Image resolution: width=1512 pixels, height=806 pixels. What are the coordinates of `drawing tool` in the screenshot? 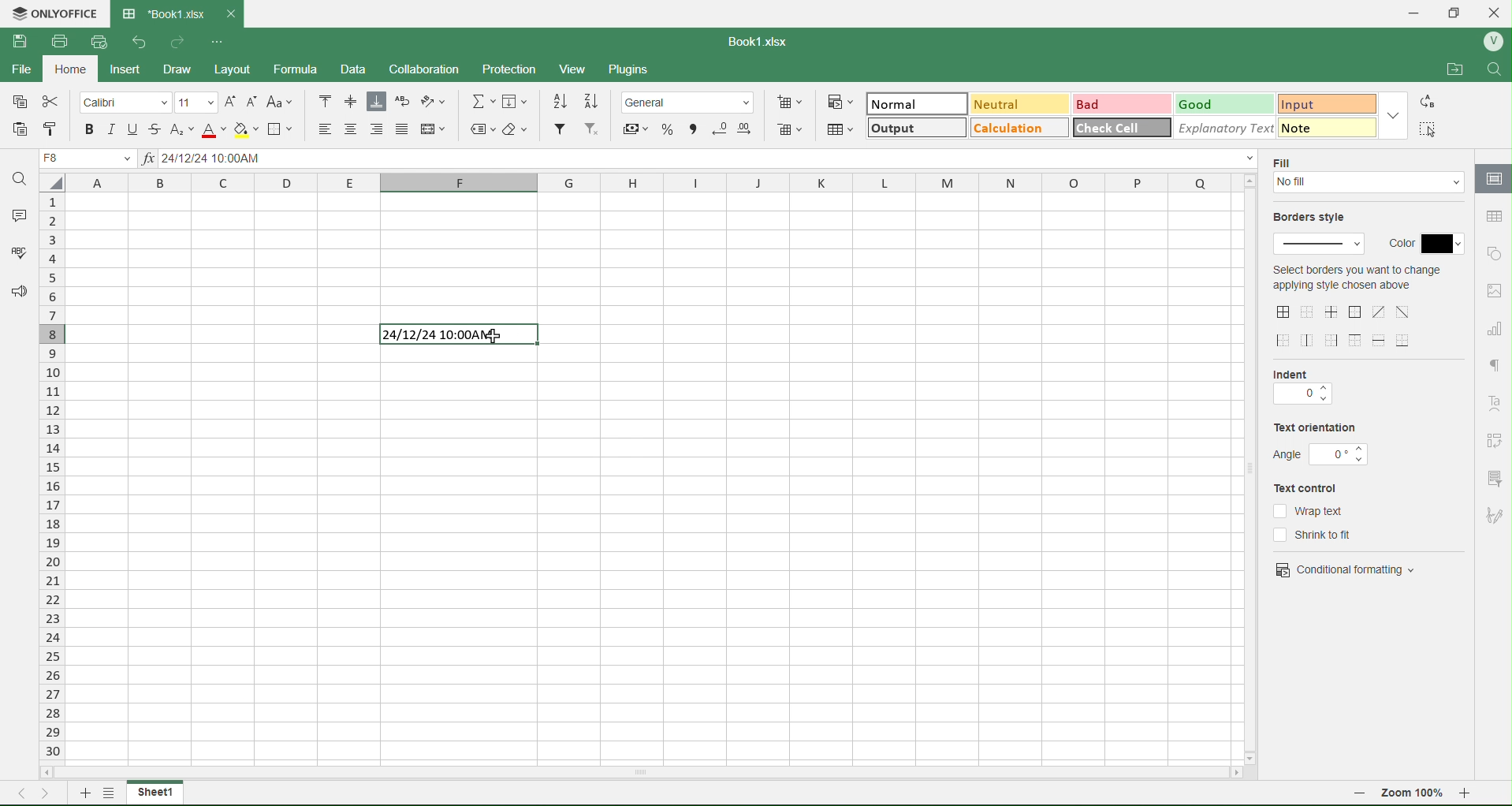 It's located at (1493, 515).